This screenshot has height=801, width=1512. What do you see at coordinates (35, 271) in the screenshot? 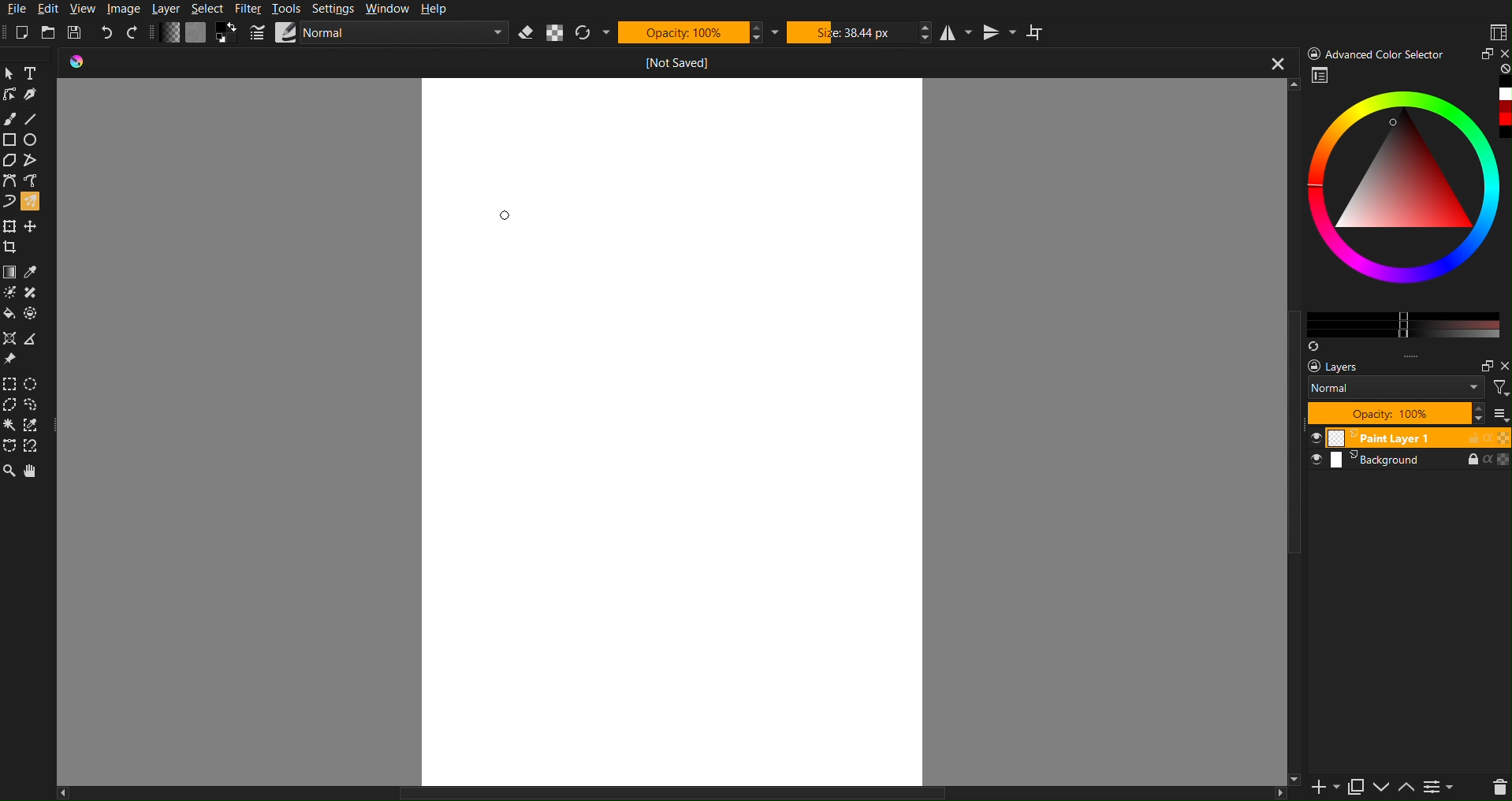
I see `Color Picker` at bounding box center [35, 271].